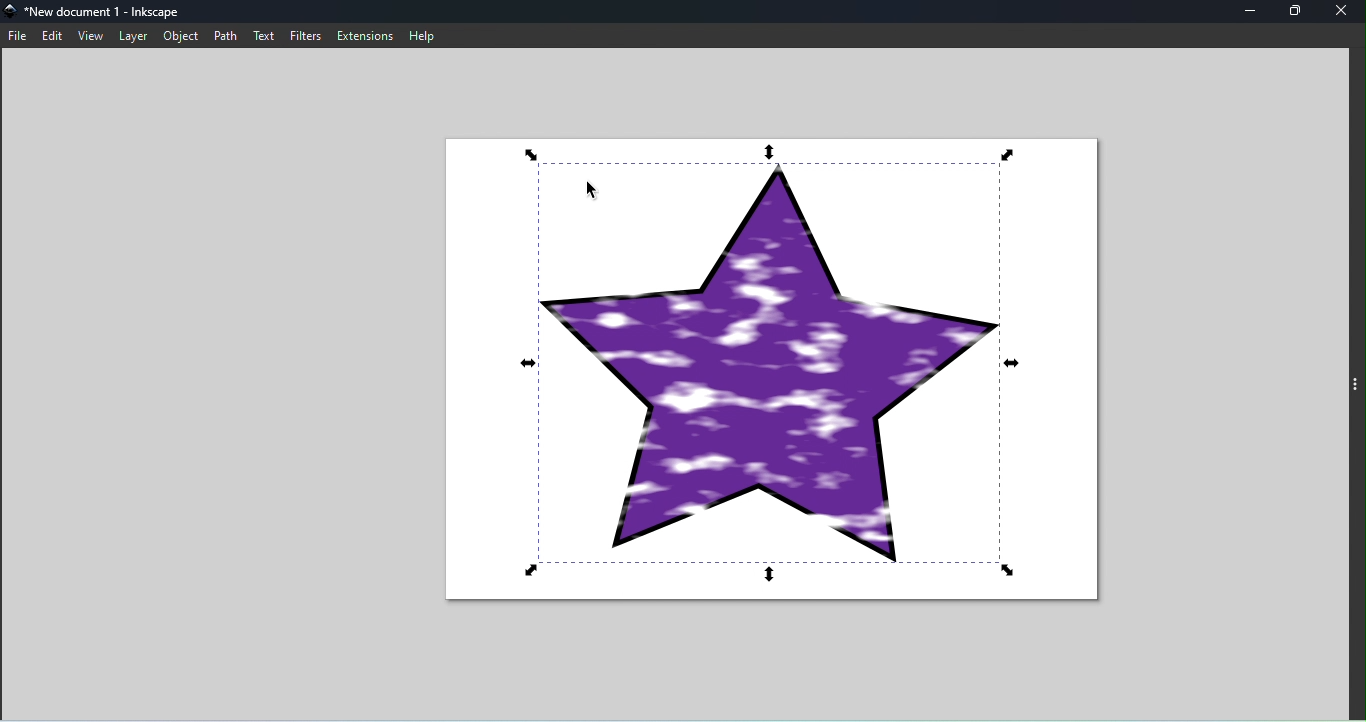 The width and height of the screenshot is (1366, 722). What do you see at coordinates (133, 37) in the screenshot?
I see `layer` at bounding box center [133, 37].